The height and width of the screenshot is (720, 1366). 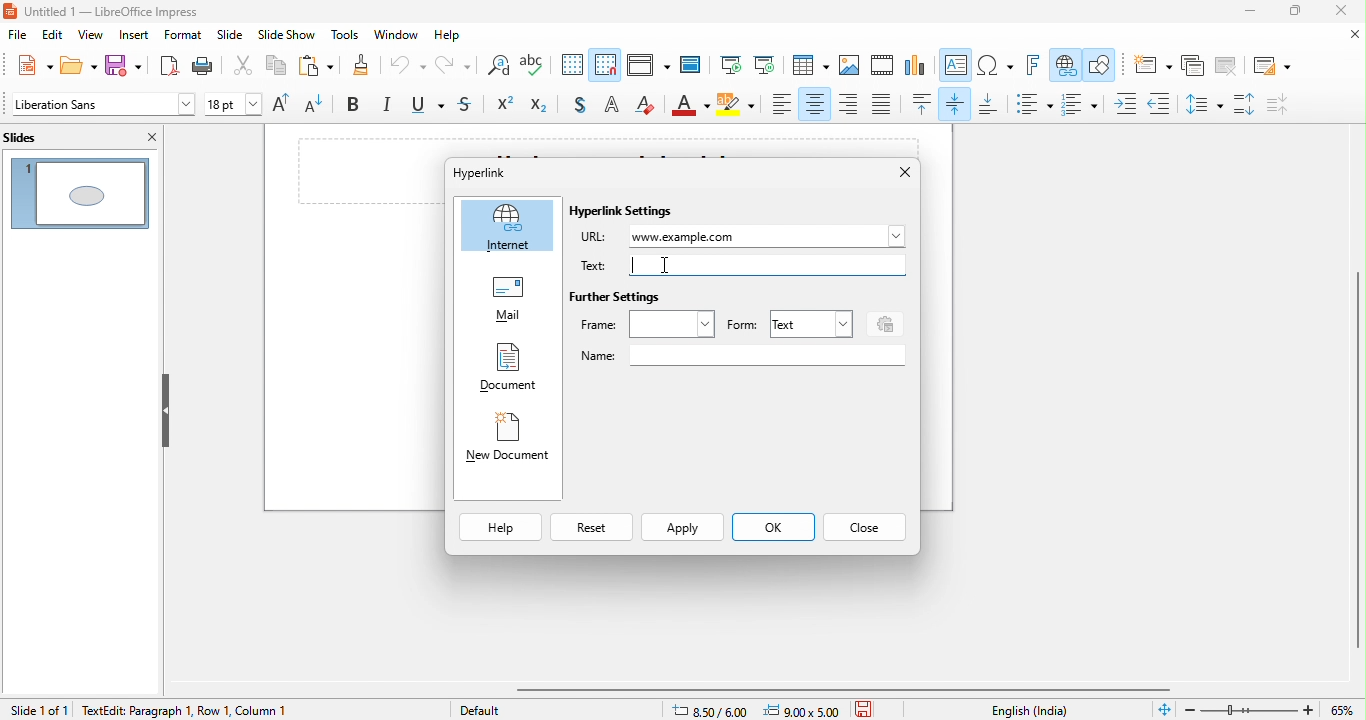 What do you see at coordinates (234, 106) in the screenshot?
I see `font size` at bounding box center [234, 106].